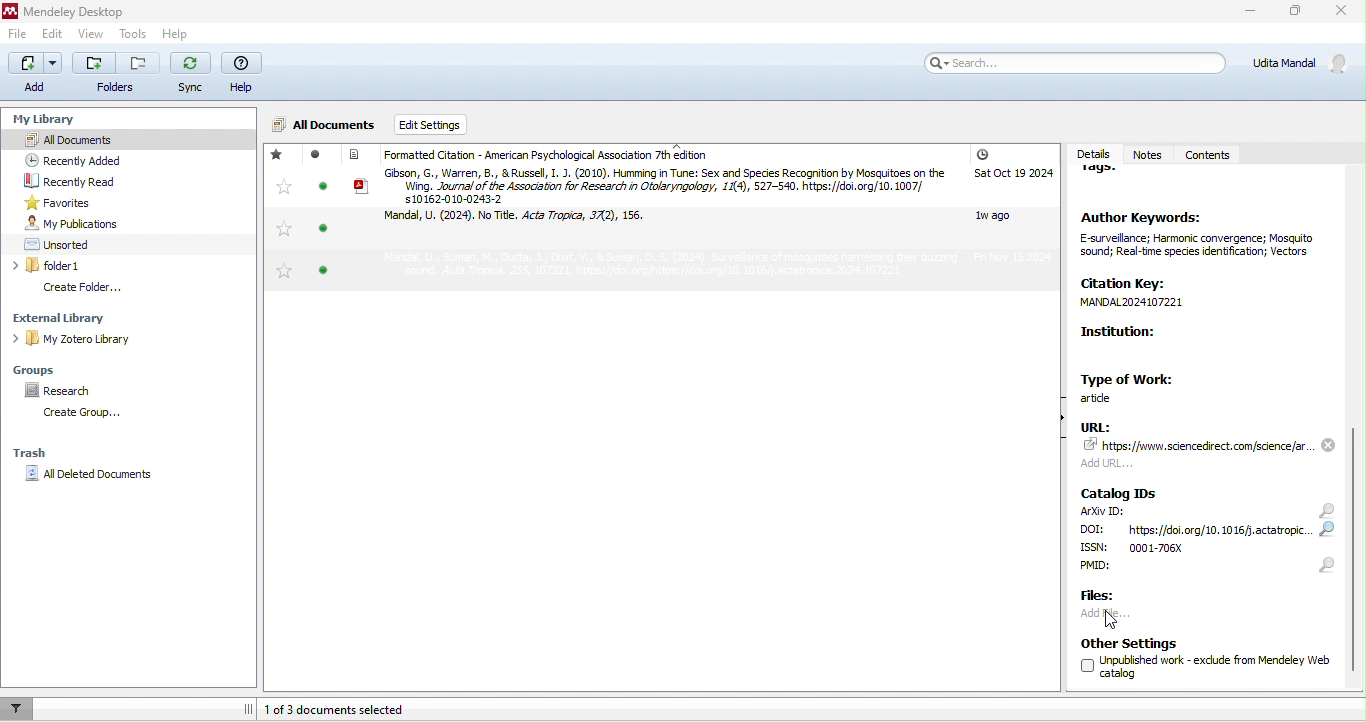 The width and height of the screenshot is (1366, 722). What do you see at coordinates (1127, 569) in the screenshot?
I see `PMID` at bounding box center [1127, 569].